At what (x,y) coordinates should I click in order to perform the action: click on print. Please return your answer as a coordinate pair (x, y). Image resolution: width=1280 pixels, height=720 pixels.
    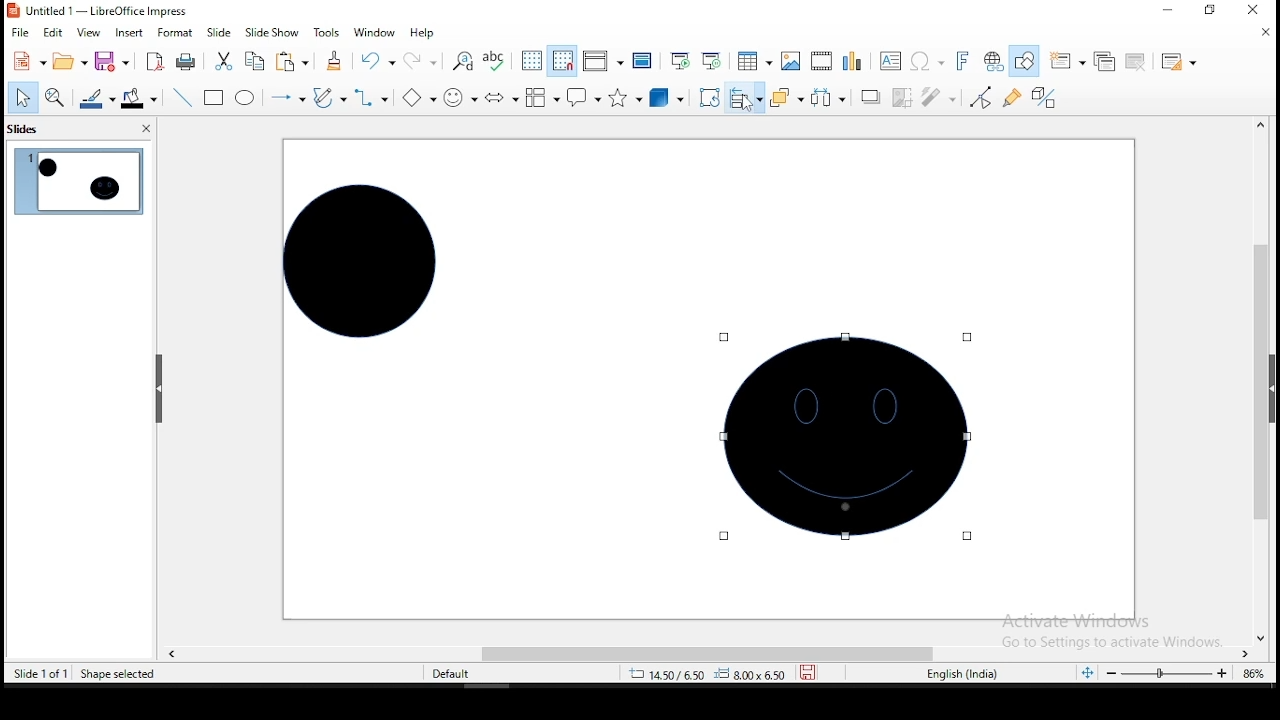
    Looking at the image, I should click on (186, 63).